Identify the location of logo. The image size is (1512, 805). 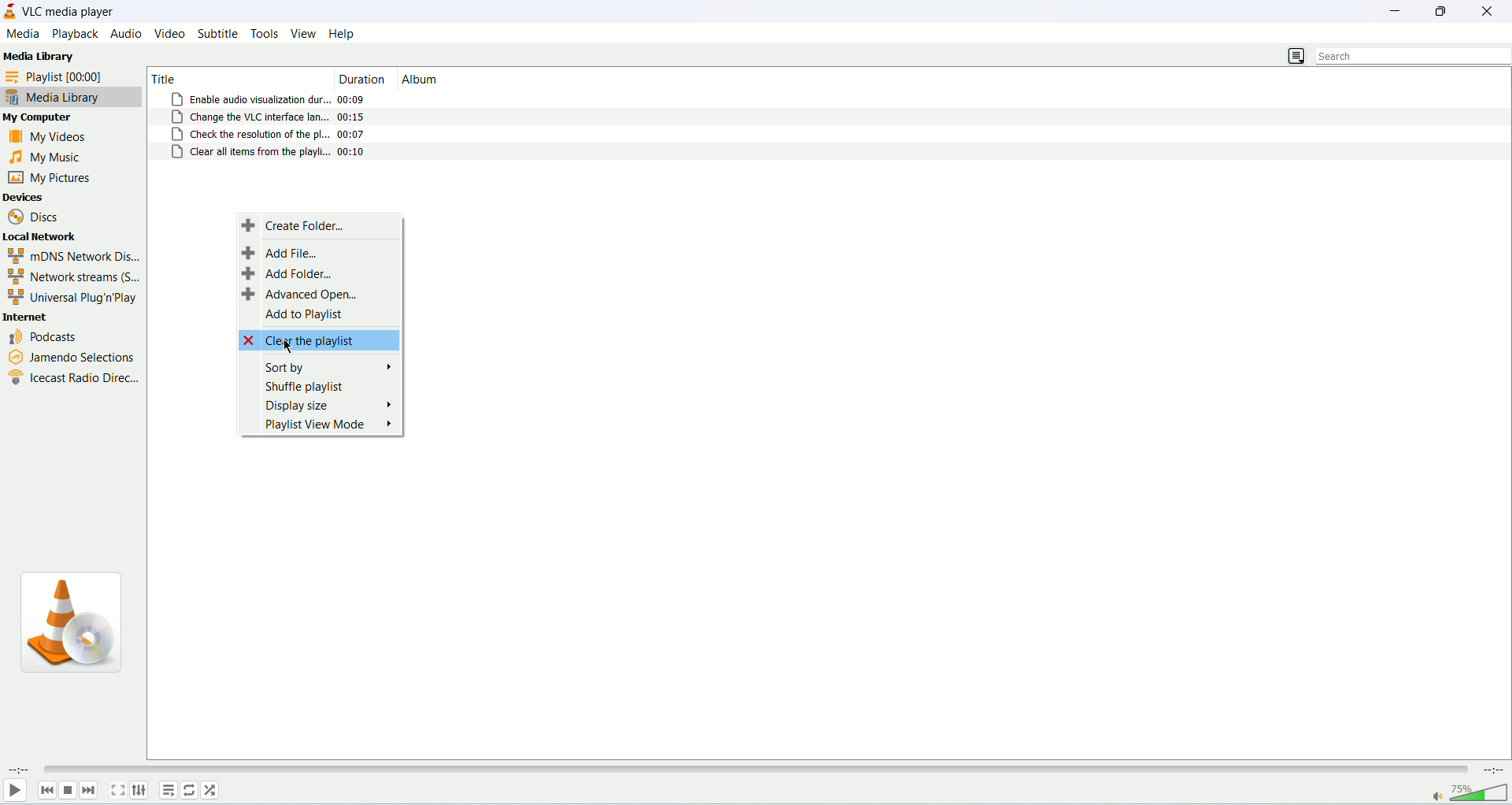
(11, 11).